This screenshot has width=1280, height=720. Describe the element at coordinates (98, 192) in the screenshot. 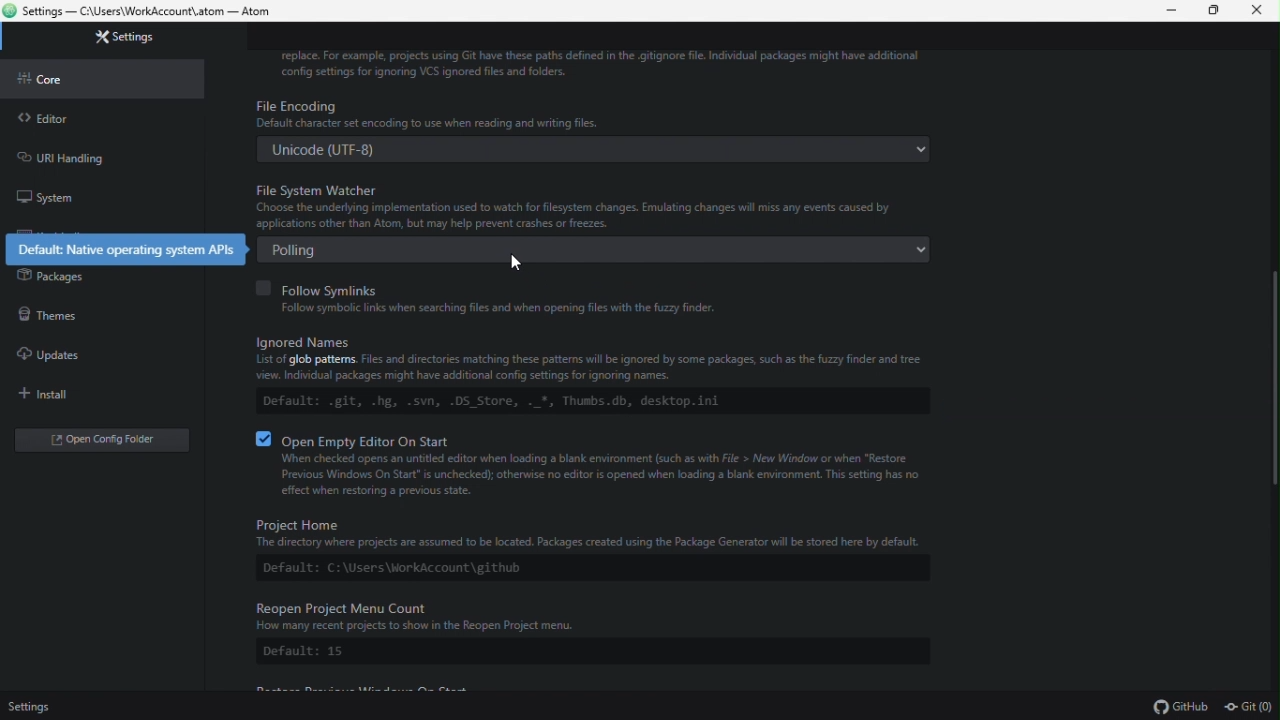

I see `System` at that location.